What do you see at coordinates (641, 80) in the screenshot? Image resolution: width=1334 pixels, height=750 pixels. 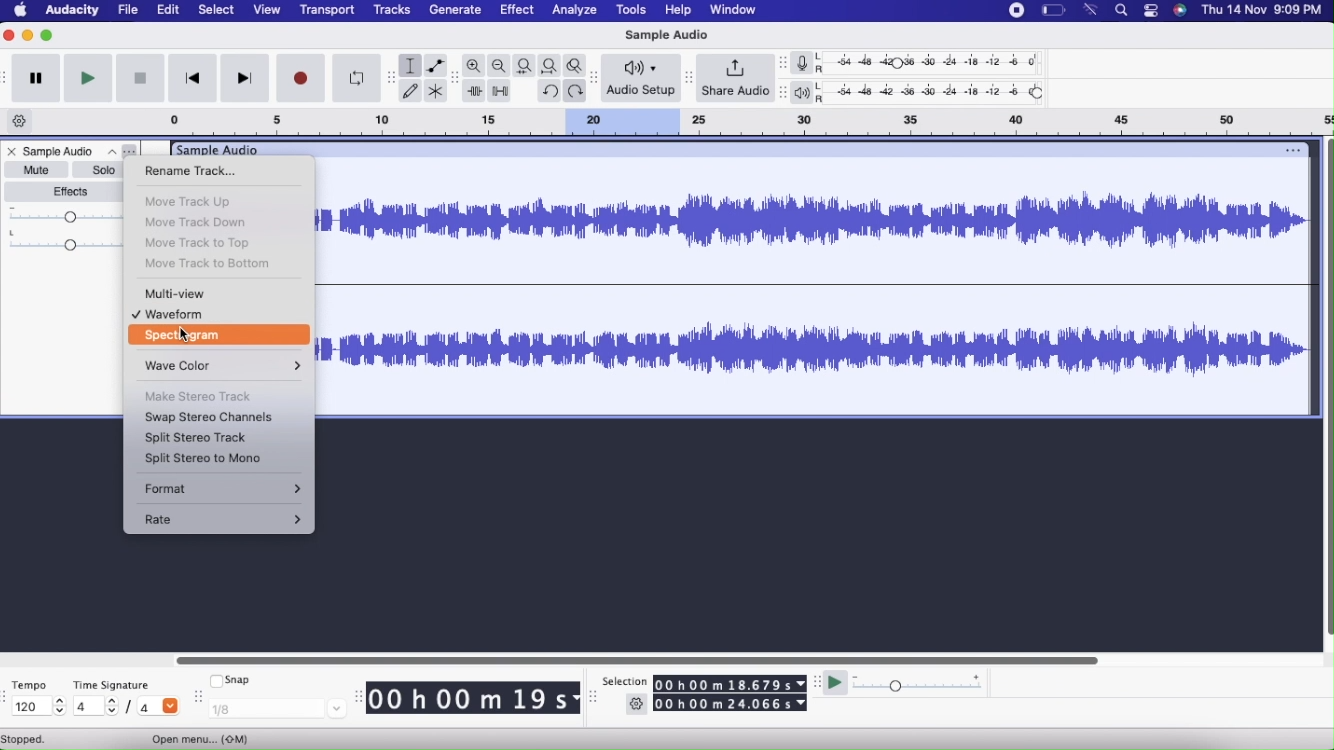 I see `Audio Setup` at bounding box center [641, 80].